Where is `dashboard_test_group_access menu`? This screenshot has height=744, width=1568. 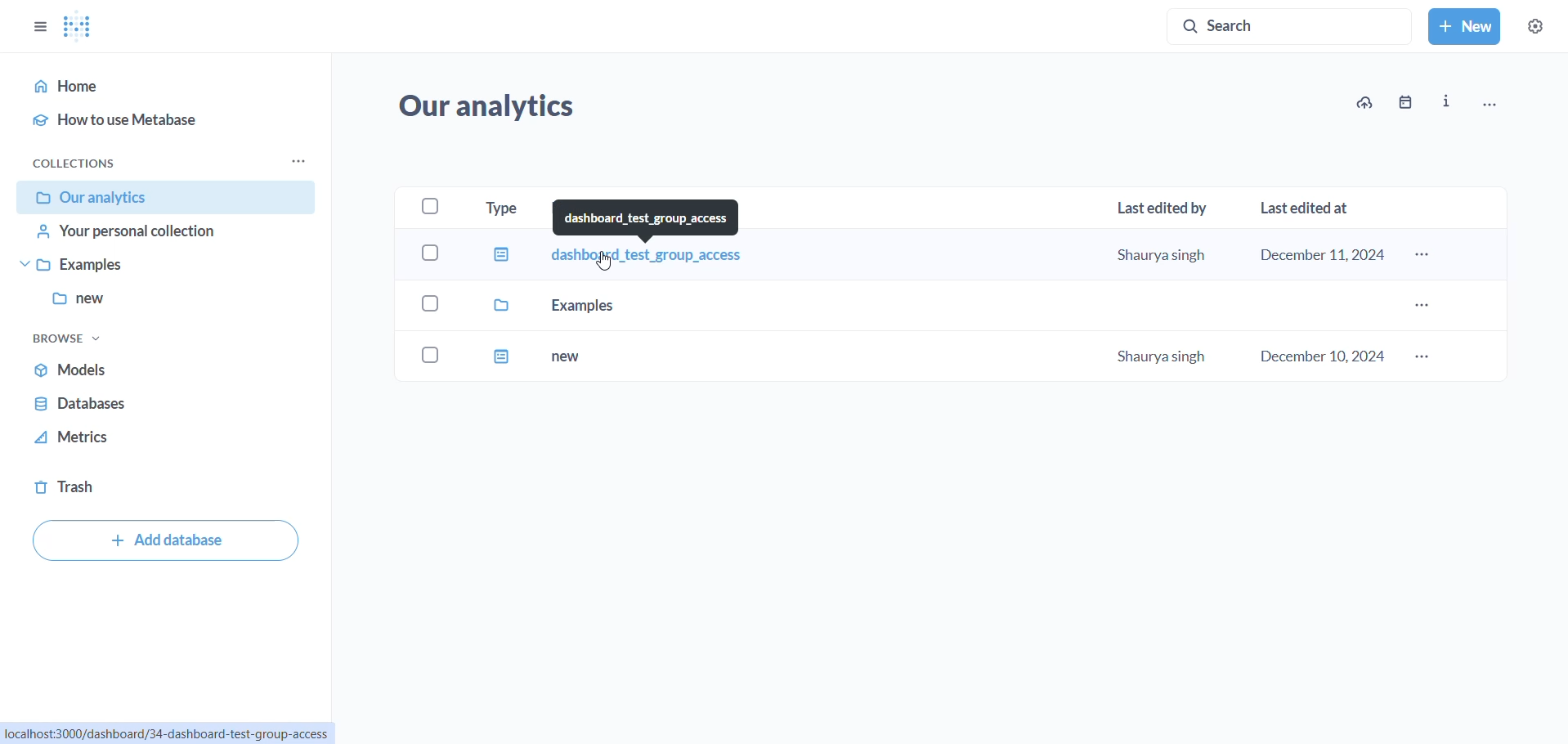 dashboard_test_group_access menu is located at coordinates (1424, 254).